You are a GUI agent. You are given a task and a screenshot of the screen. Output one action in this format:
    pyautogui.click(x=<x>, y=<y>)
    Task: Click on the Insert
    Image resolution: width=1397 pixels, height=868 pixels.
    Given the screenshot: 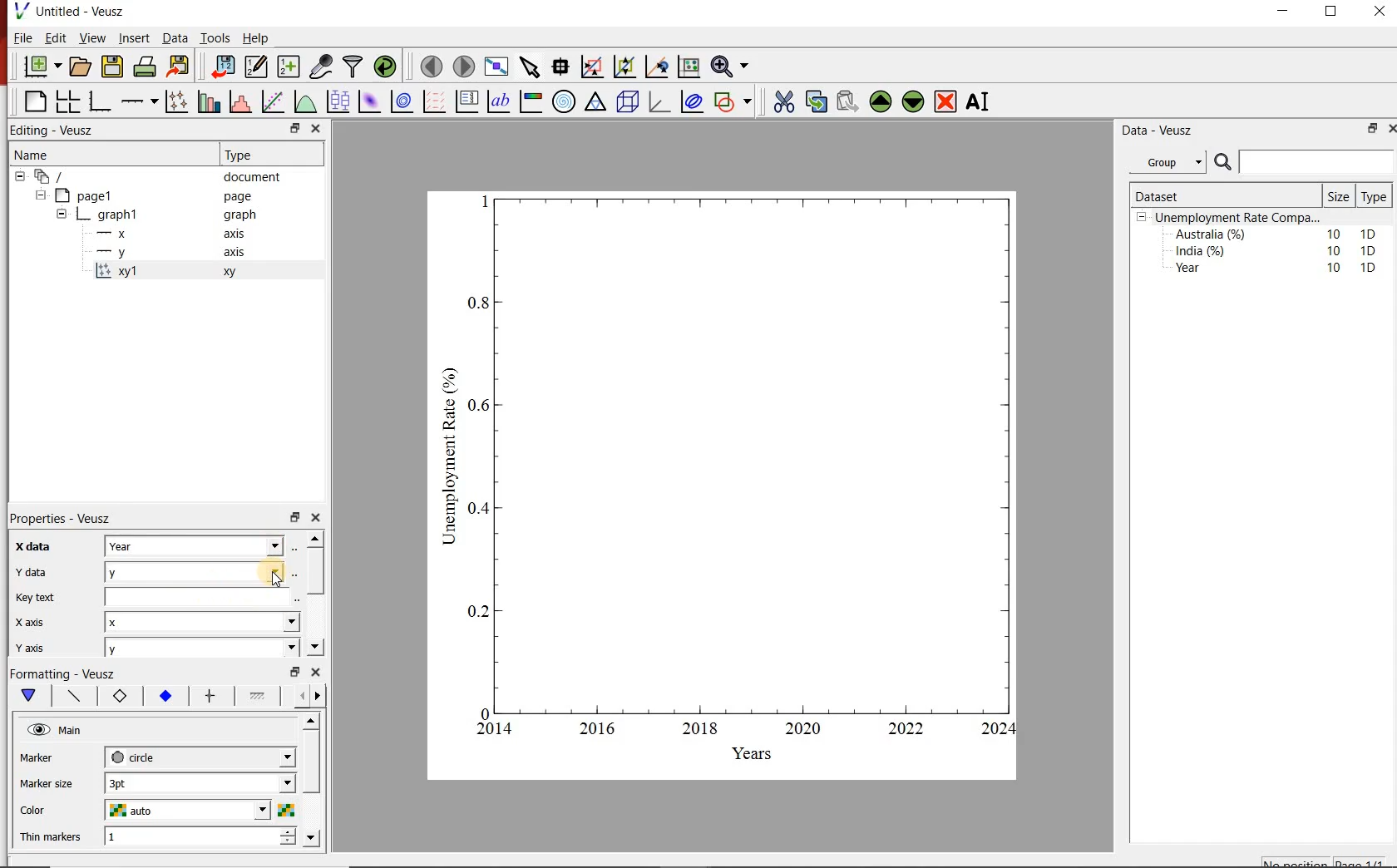 What is the action you would take?
    pyautogui.click(x=133, y=37)
    